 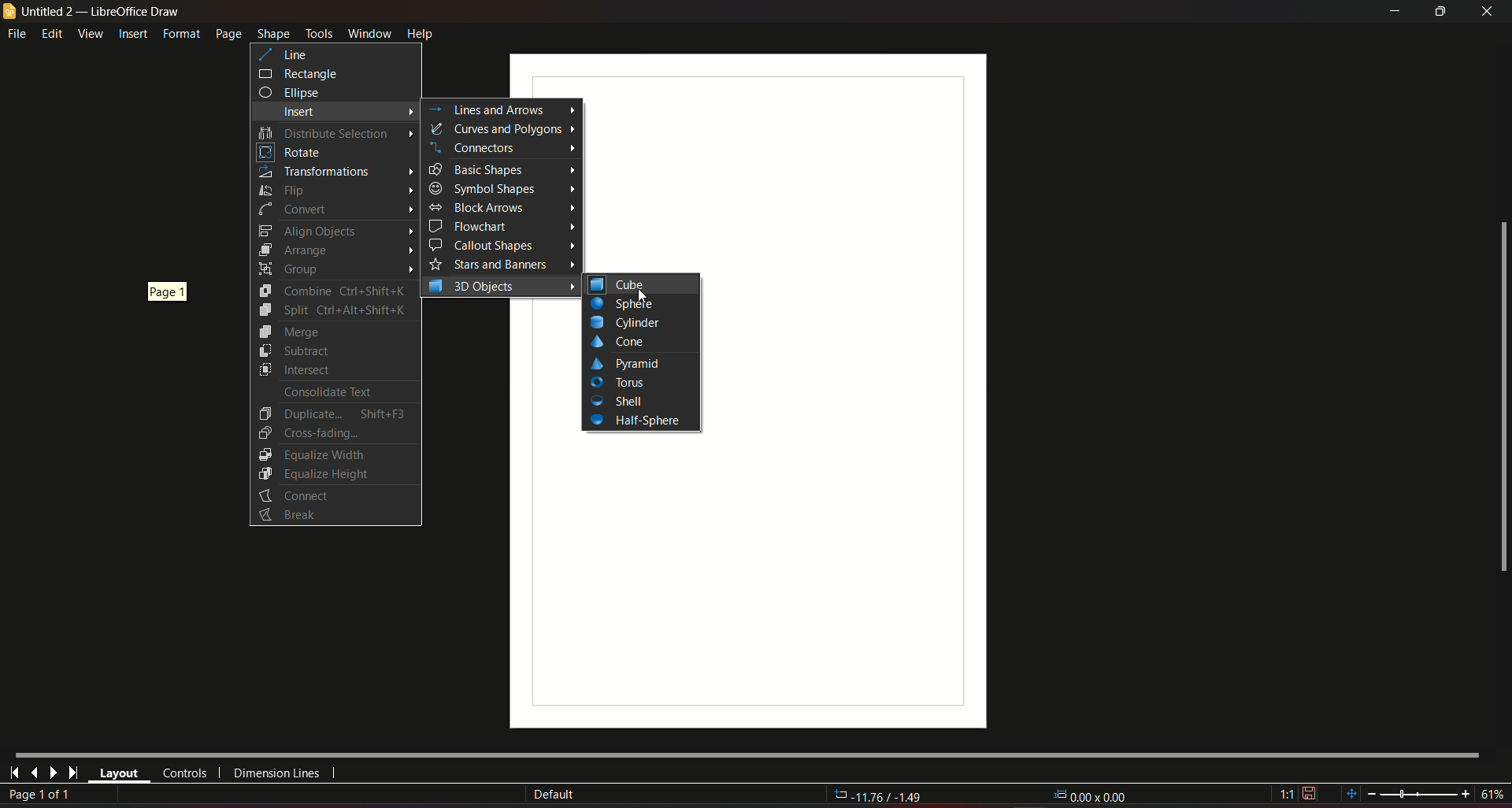 I want to click on Arrow, so click(x=571, y=264).